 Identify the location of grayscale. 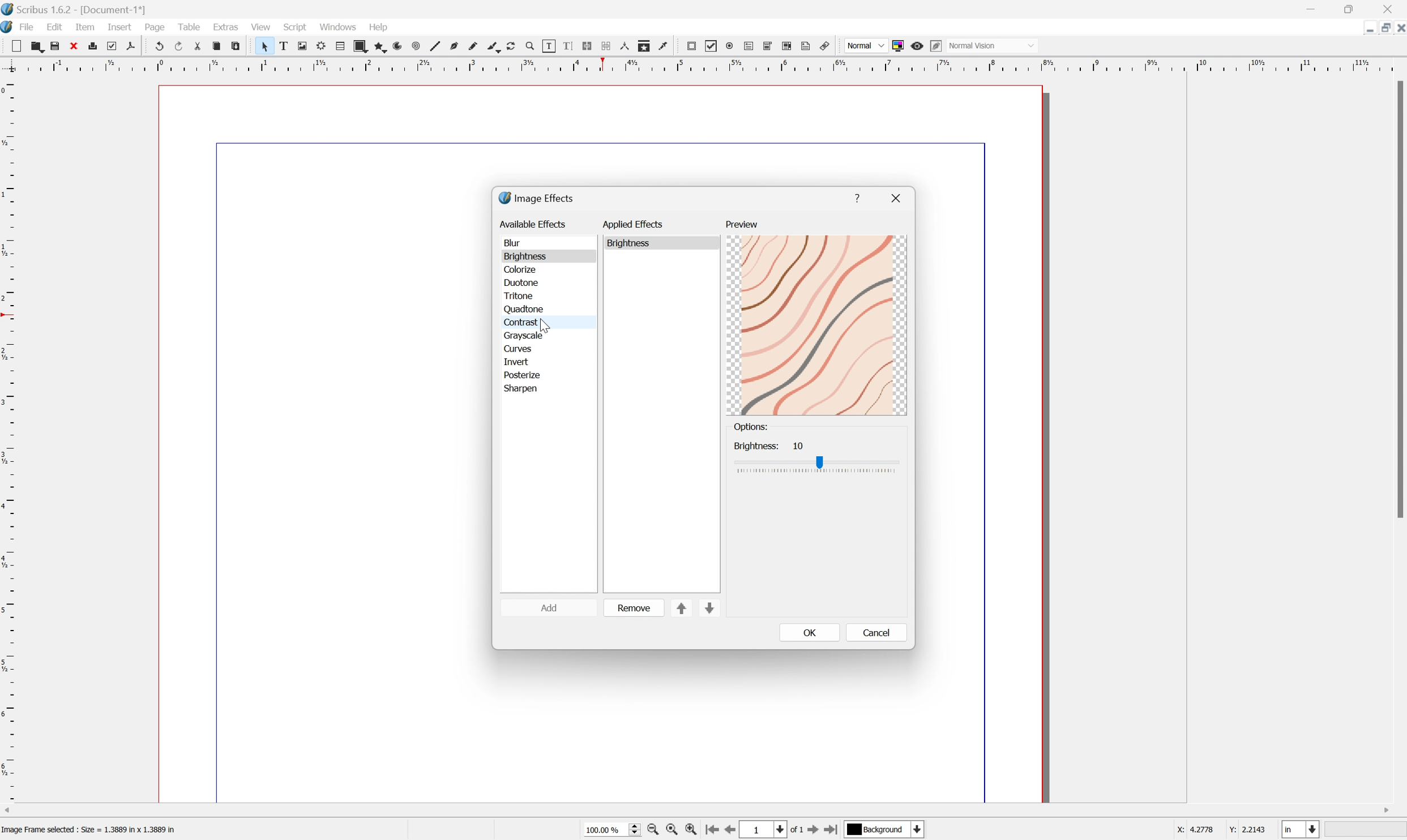
(524, 335).